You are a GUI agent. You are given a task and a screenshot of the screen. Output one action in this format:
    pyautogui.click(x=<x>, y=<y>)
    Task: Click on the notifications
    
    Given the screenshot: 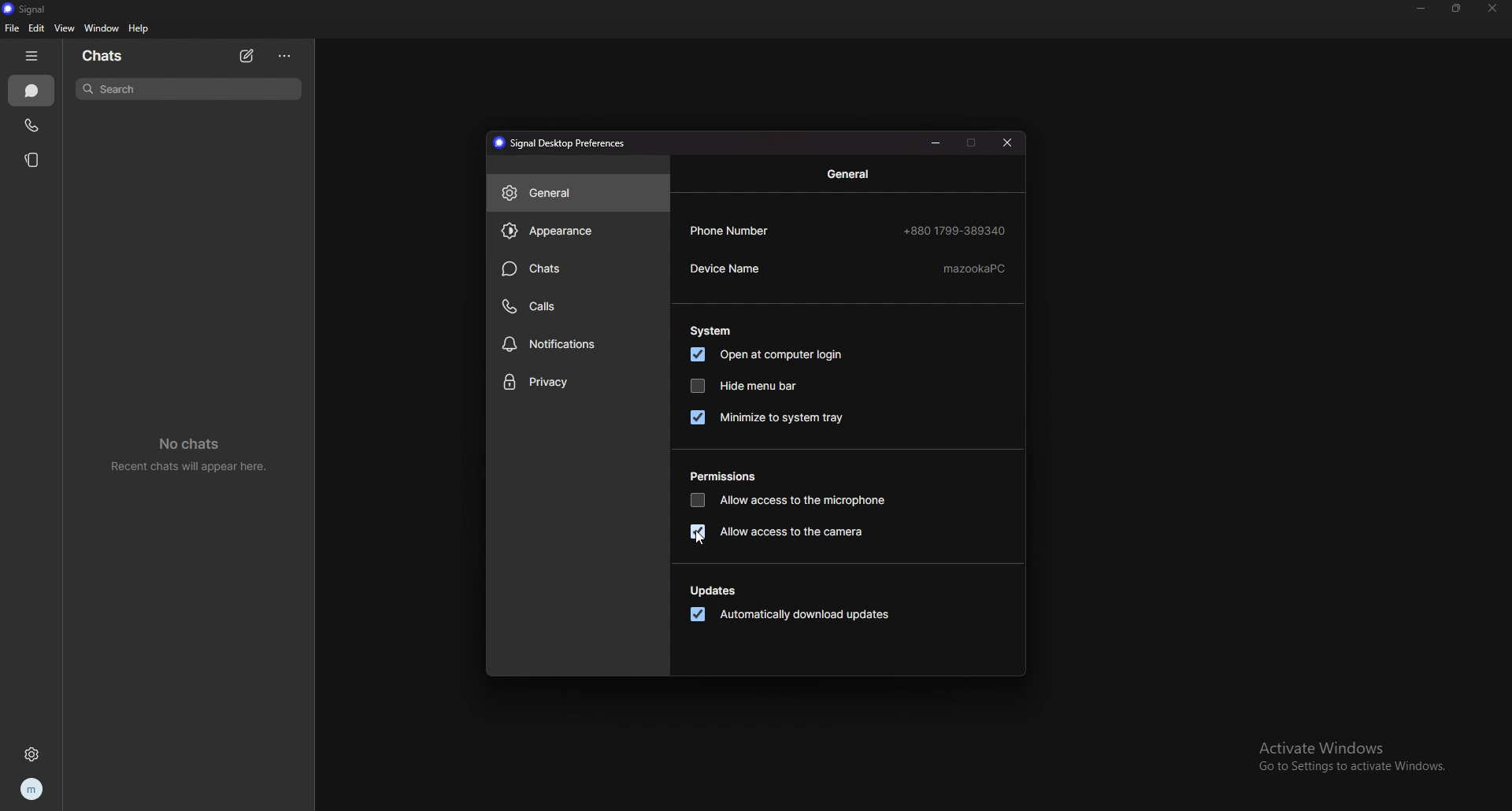 What is the action you would take?
    pyautogui.click(x=577, y=343)
    